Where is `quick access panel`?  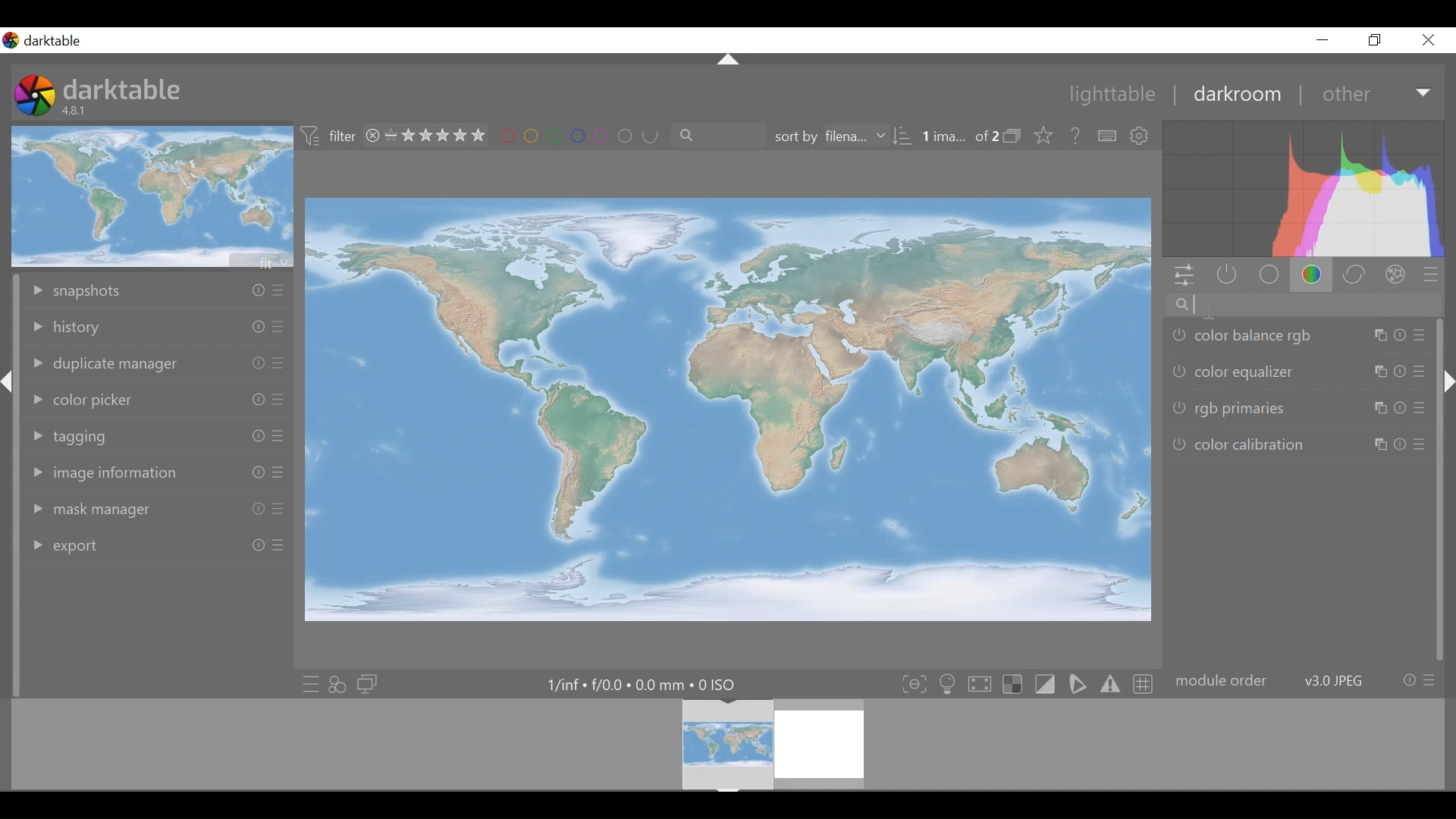 quick access panel is located at coordinates (1185, 276).